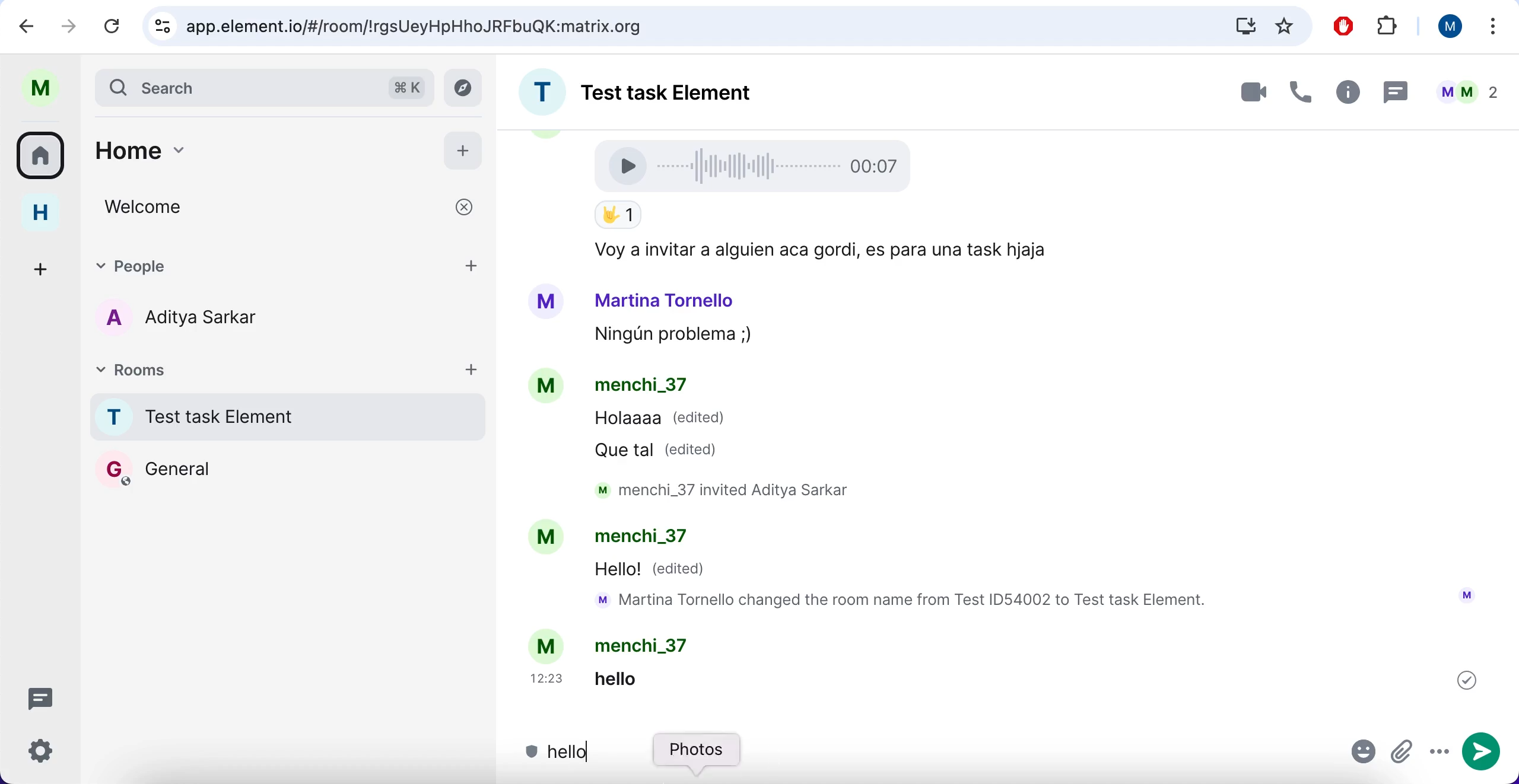  I want to click on menchi_37, so click(647, 645).